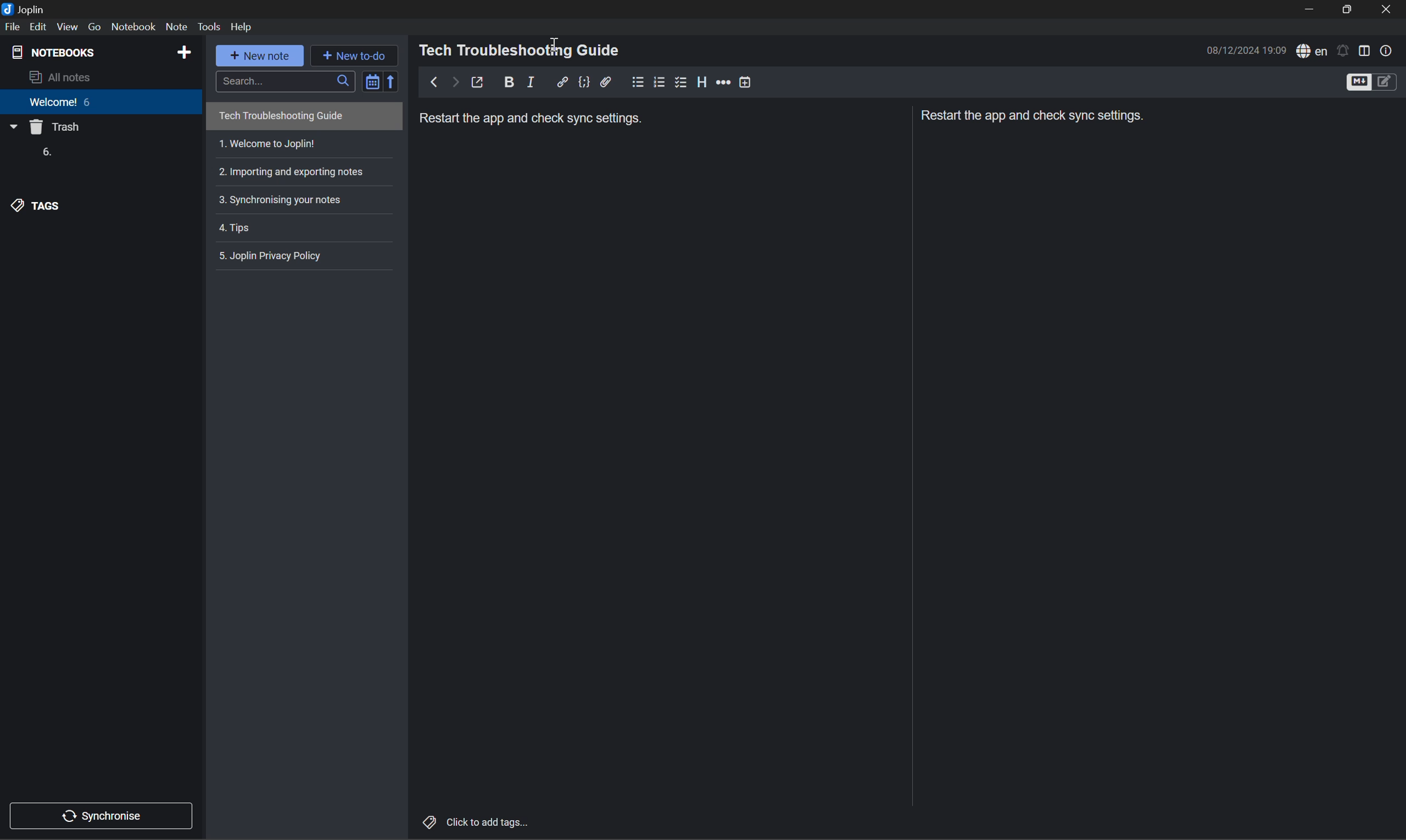 This screenshot has width=1406, height=840. I want to click on Welcome 6, so click(62, 106).